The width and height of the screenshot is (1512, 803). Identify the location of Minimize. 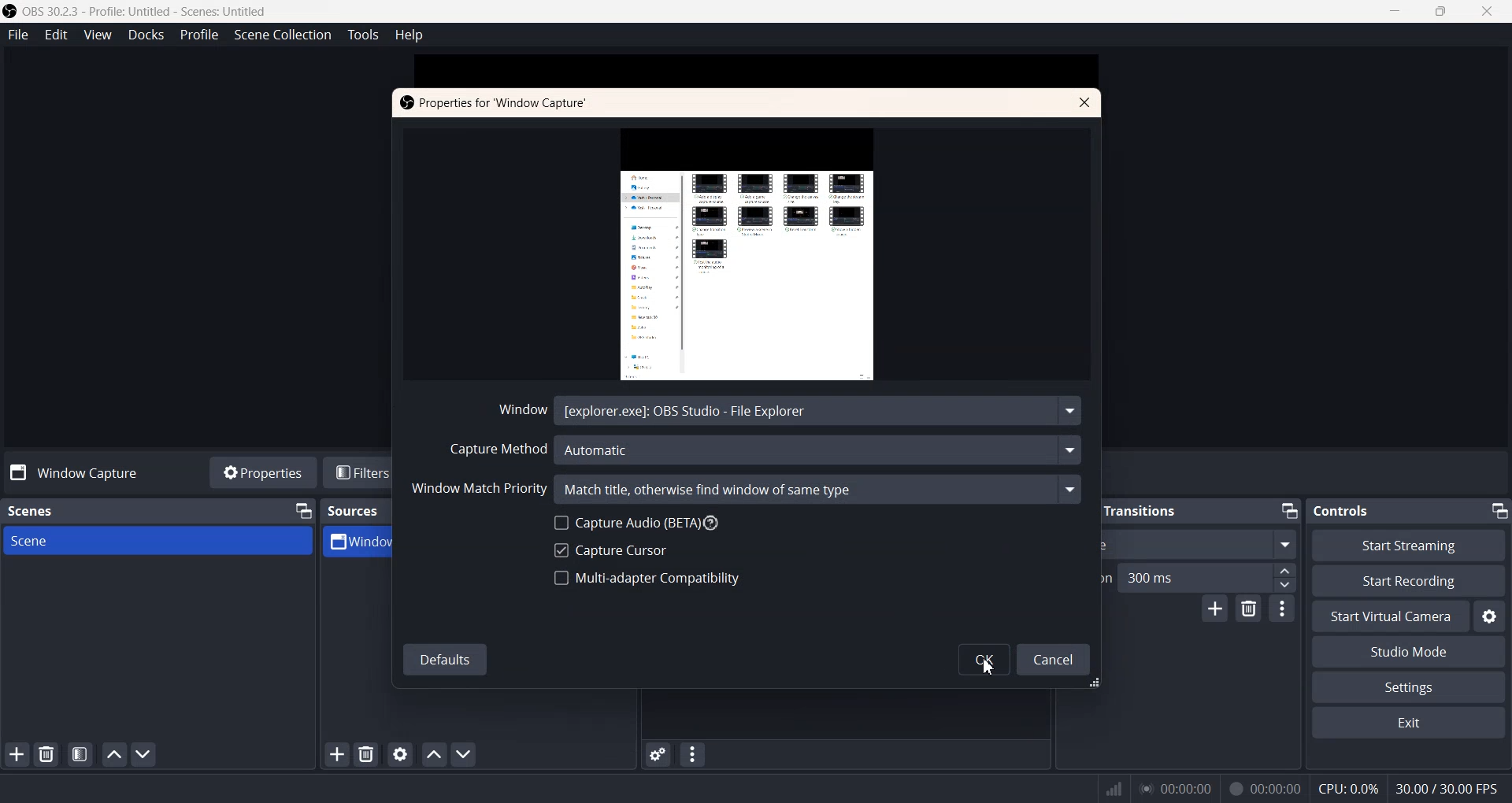
(305, 510).